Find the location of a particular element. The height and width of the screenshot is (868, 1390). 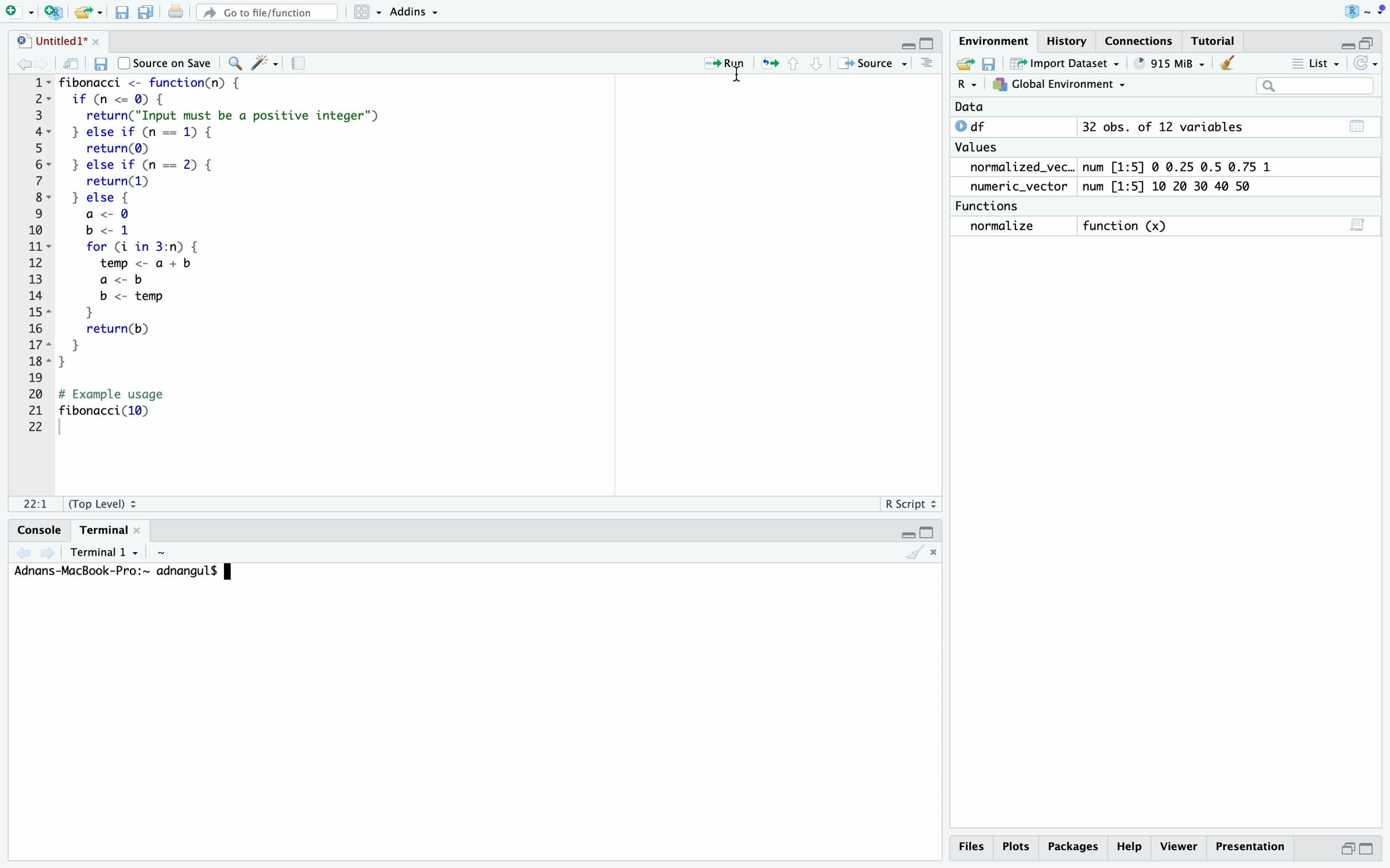

minimize is located at coordinates (1344, 41).